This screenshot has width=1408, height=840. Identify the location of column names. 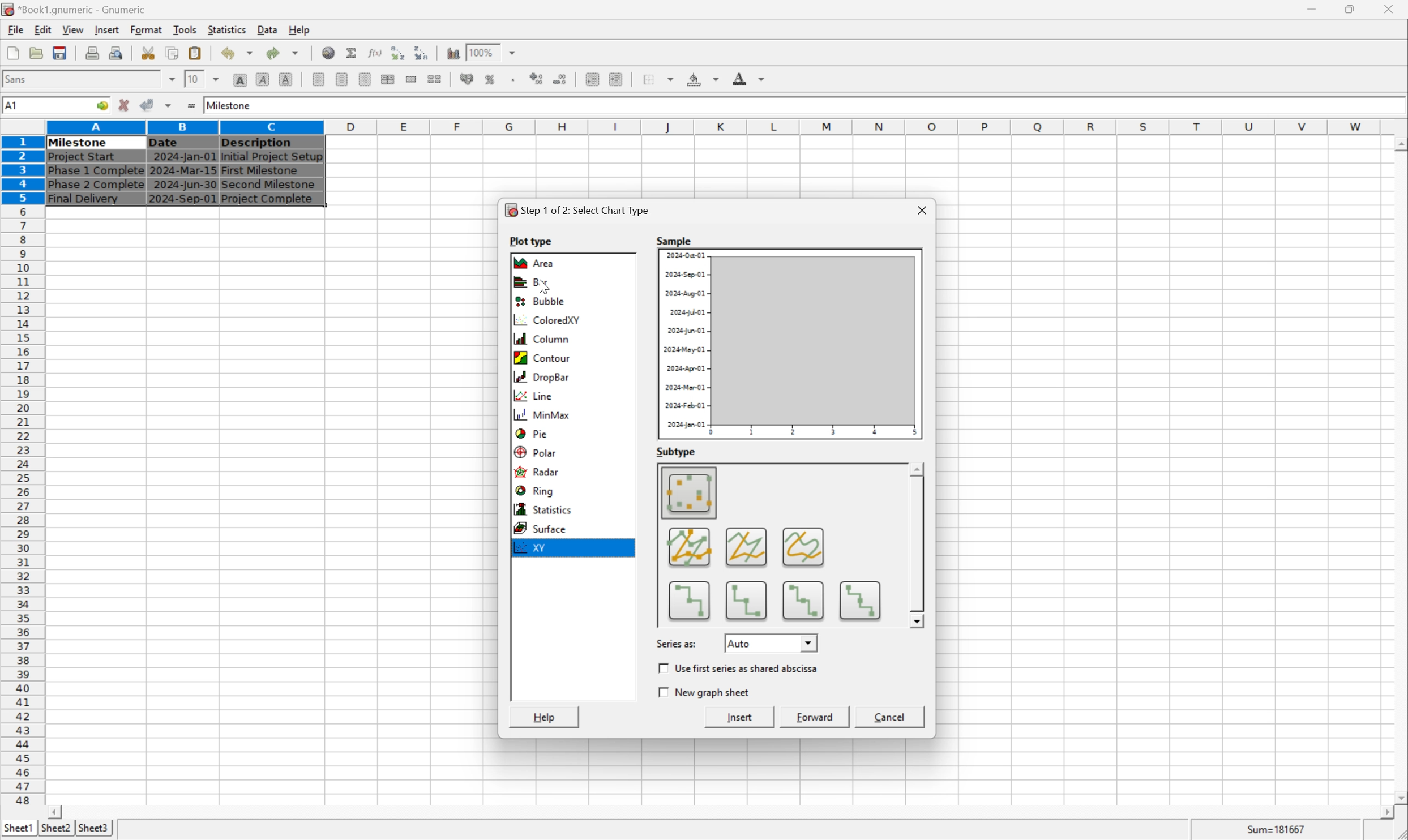
(716, 126).